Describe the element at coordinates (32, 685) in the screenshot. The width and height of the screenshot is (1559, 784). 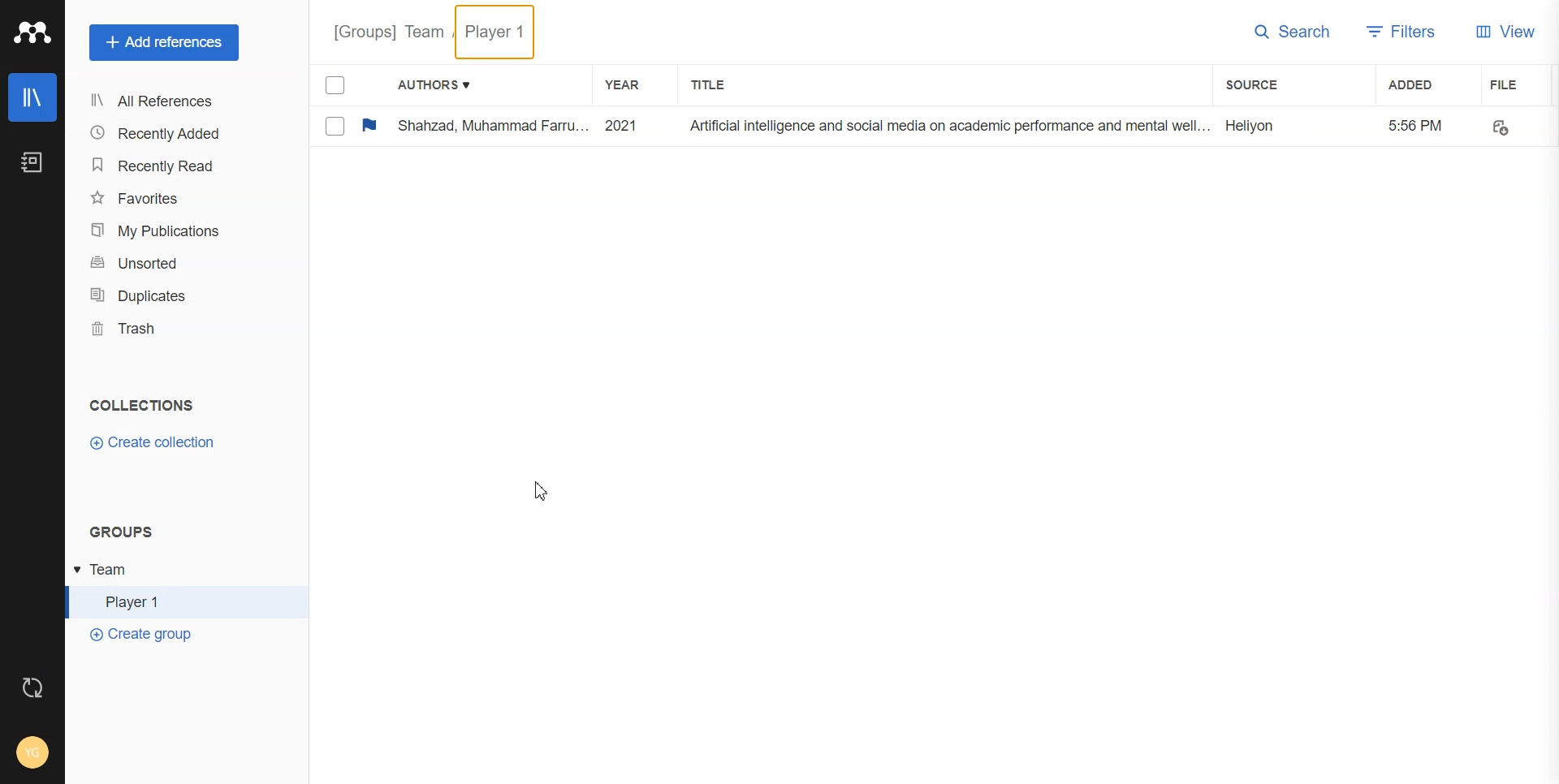
I see `Auto Sync` at that location.